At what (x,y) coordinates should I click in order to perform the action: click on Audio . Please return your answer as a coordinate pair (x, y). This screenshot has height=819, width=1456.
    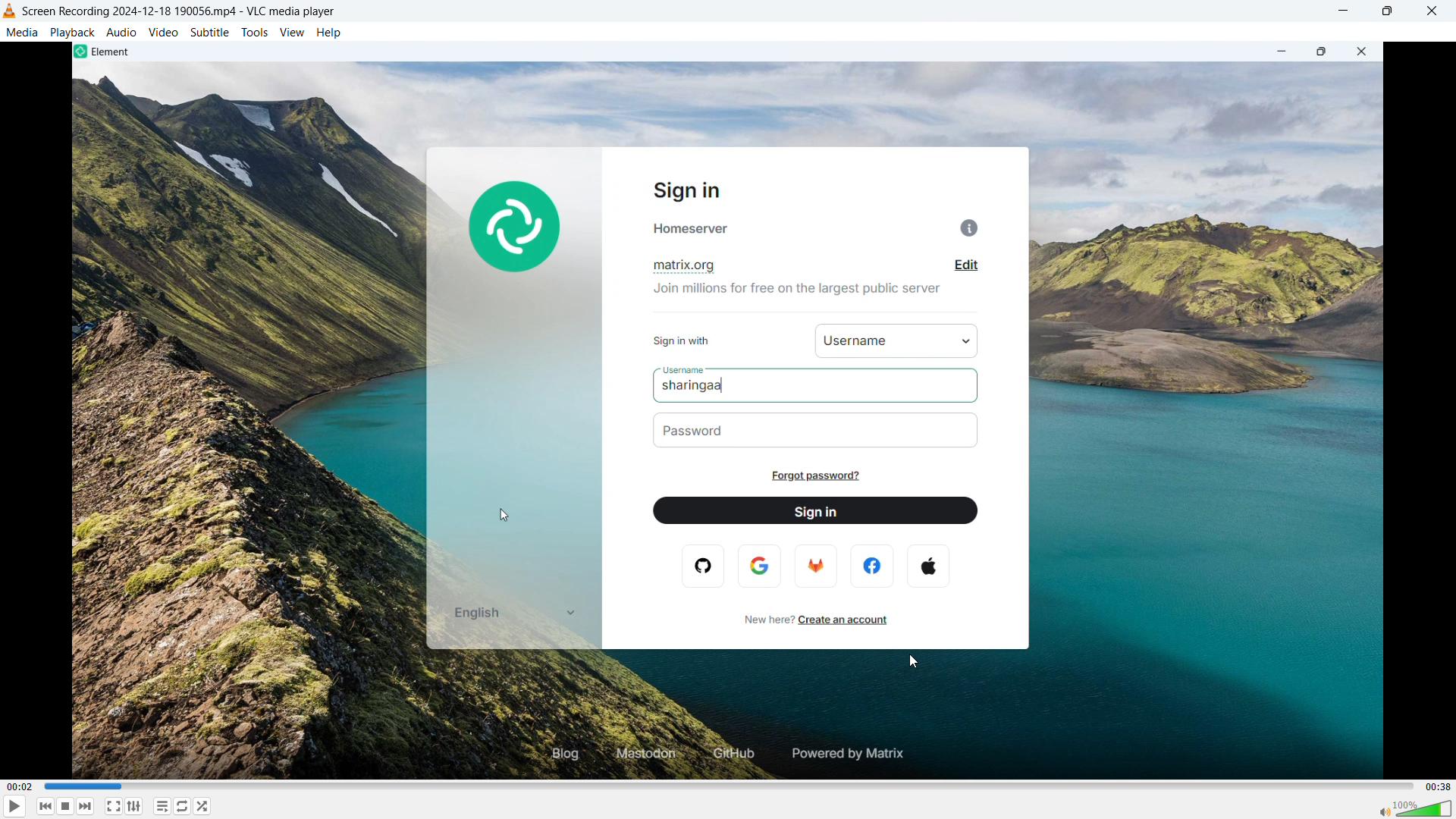
    Looking at the image, I should click on (122, 32).